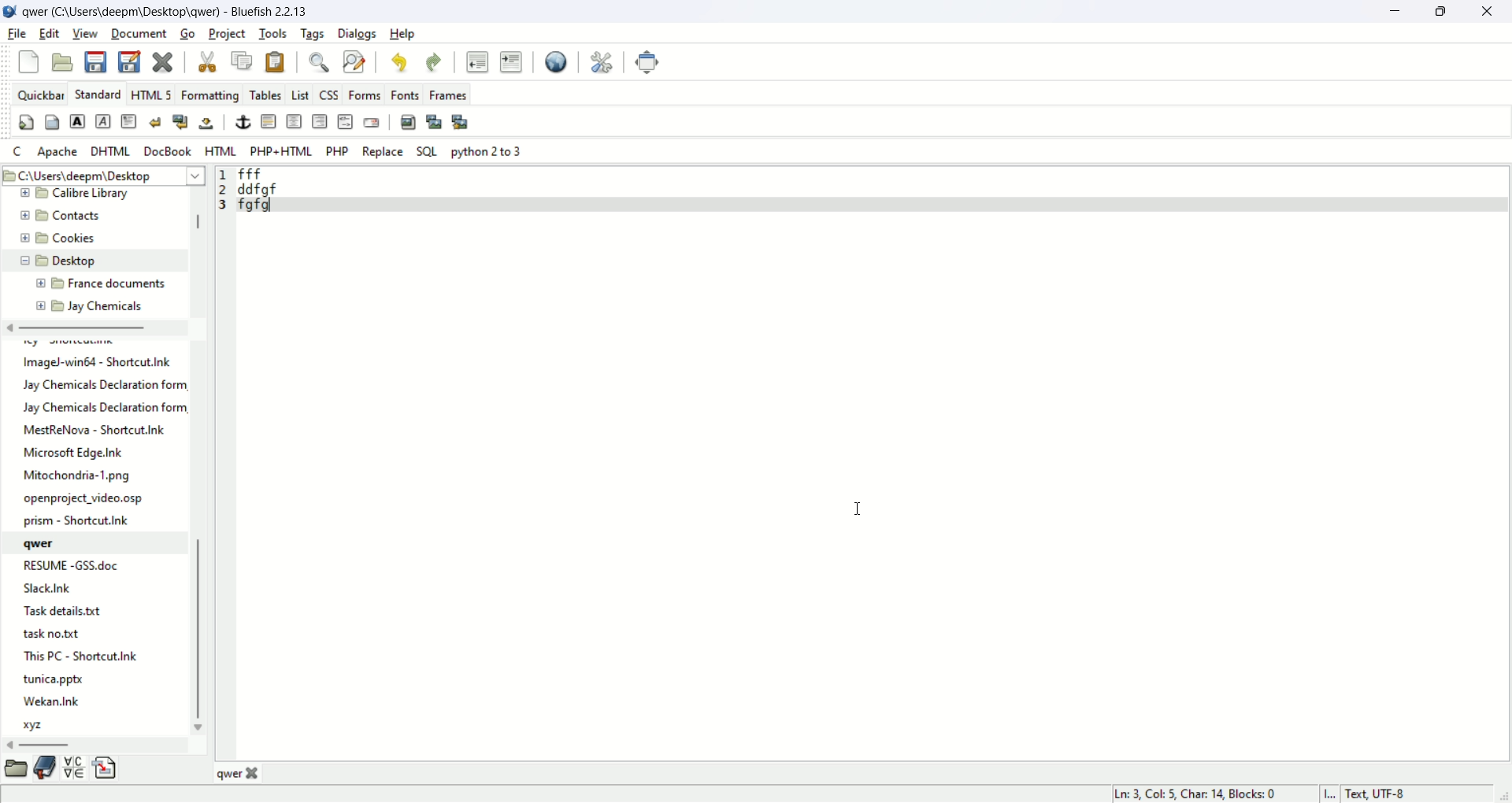 This screenshot has height=803, width=1512. What do you see at coordinates (102, 174) in the screenshot?
I see `C:\Users\deepm\Desktop` at bounding box center [102, 174].